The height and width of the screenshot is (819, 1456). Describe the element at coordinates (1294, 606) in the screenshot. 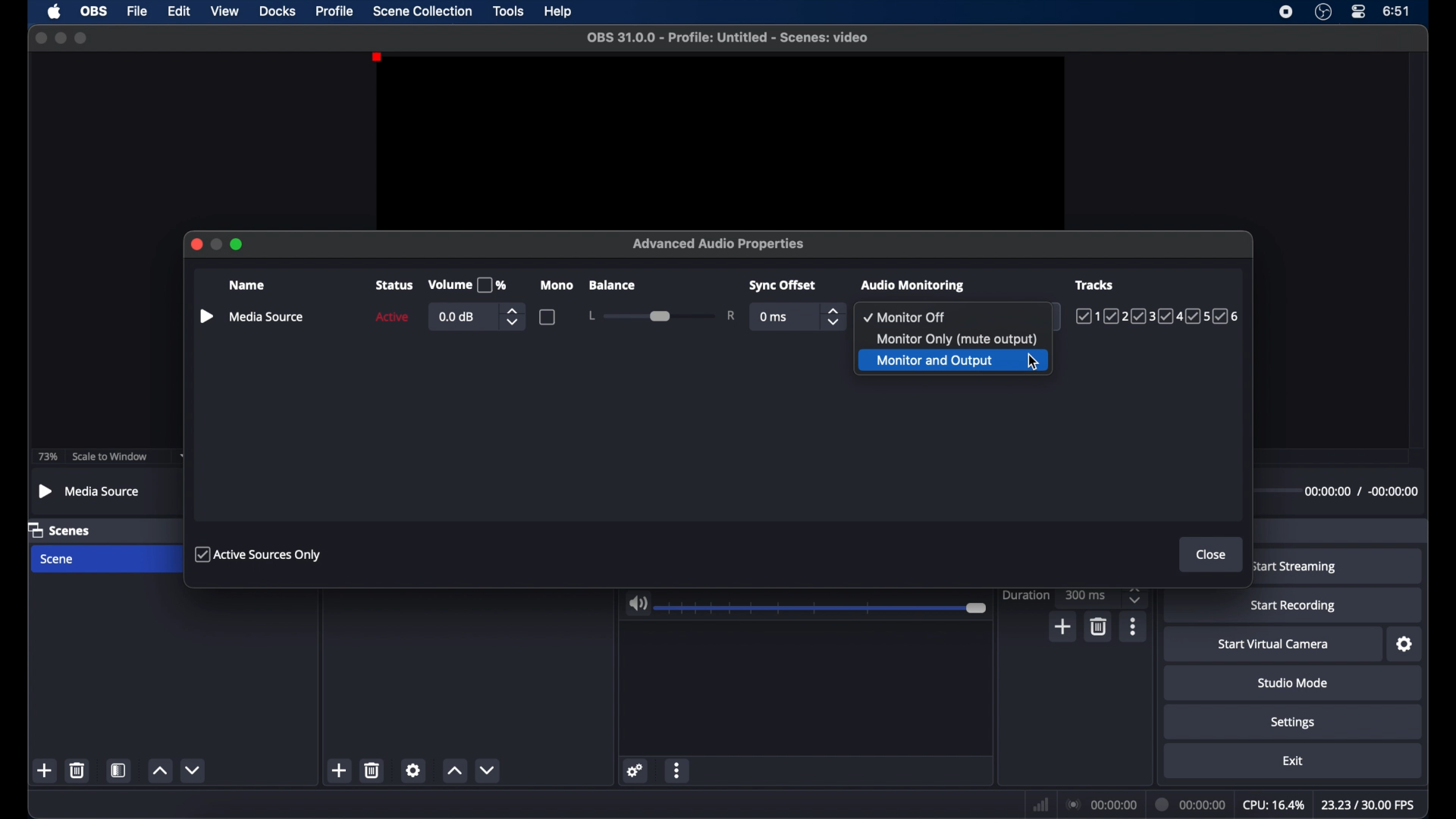

I see `start recording` at that location.